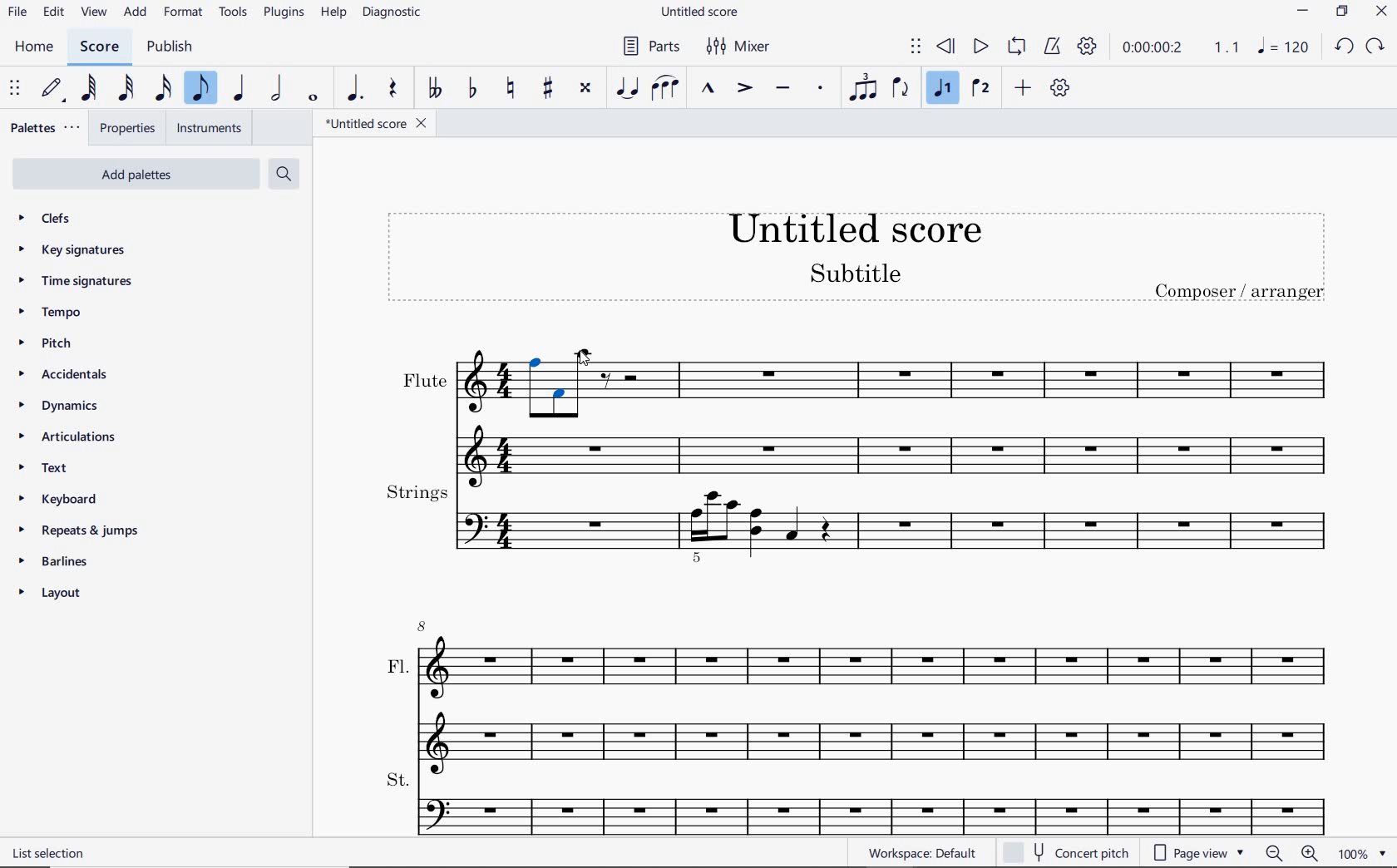 The height and width of the screenshot is (868, 1397). What do you see at coordinates (142, 173) in the screenshot?
I see `add palettes` at bounding box center [142, 173].